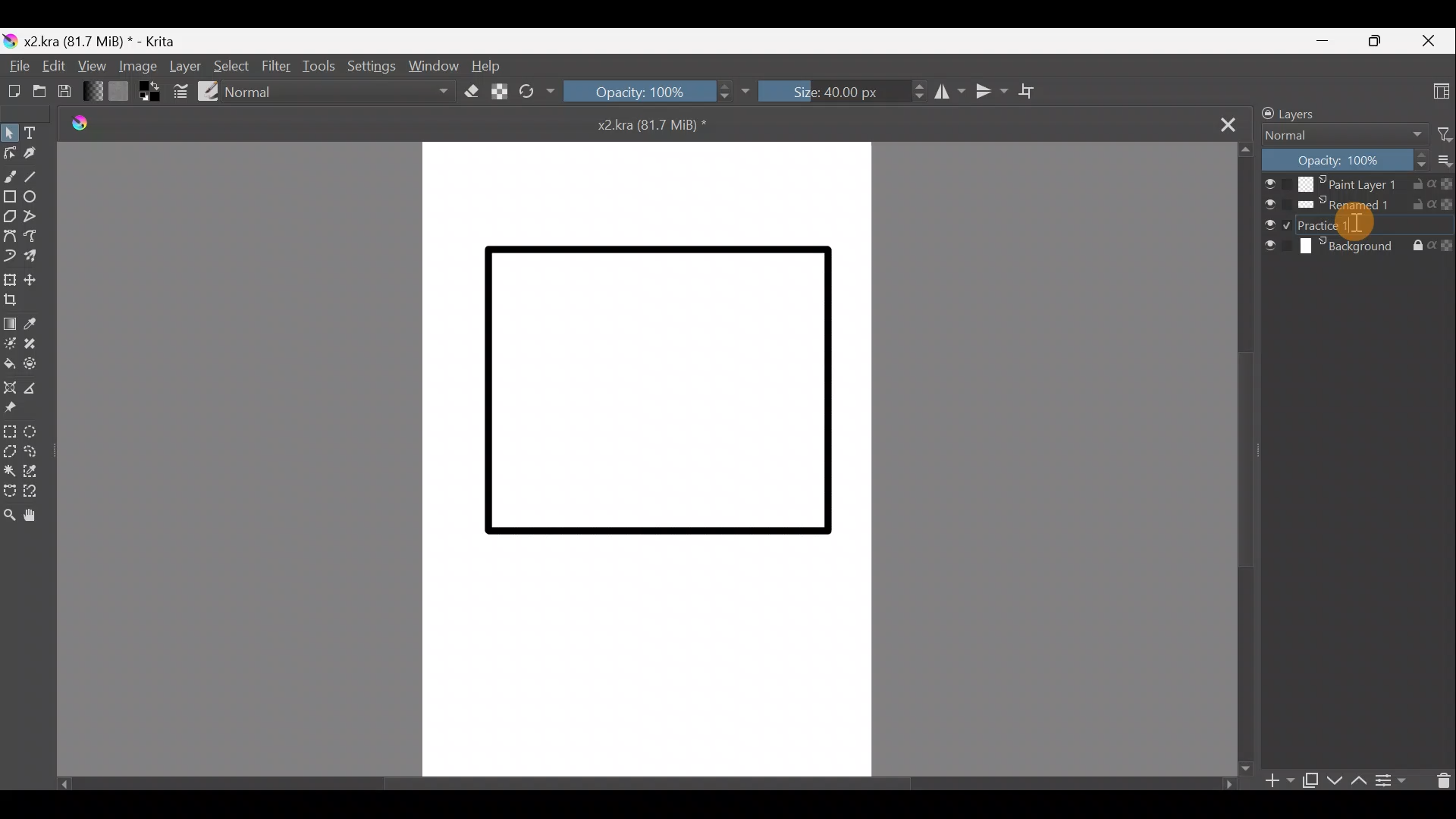 The width and height of the screenshot is (1456, 819). What do you see at coordinates (9, 367) in the screenshot?
I see `Fill a contiguous area of colour with colour/fill a selection` at bounding box center [9, 367].